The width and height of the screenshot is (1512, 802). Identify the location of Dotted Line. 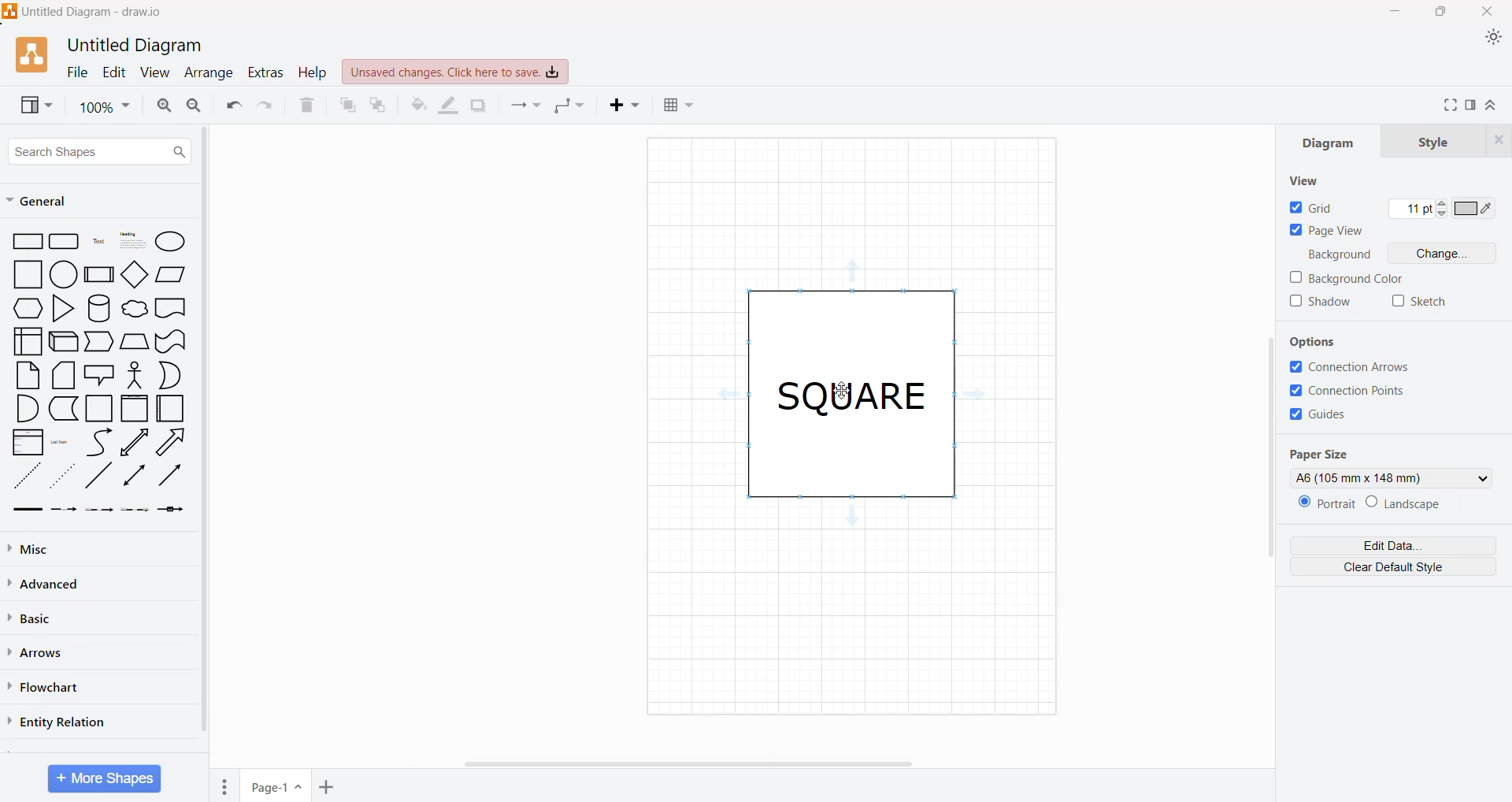
(25, 477).